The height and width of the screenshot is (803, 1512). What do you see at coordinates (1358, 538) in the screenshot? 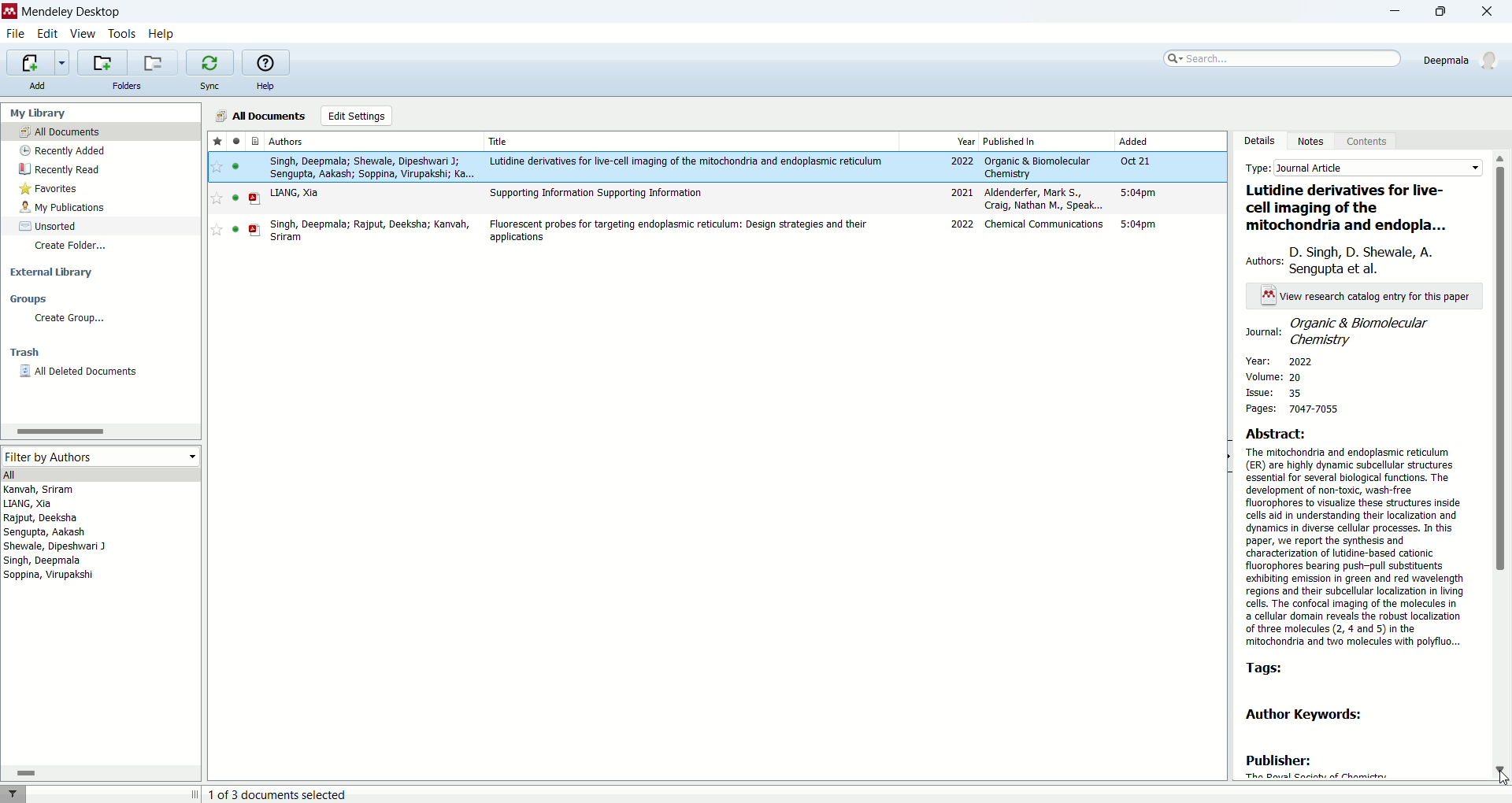
I see `Abstract:The mitochondria and endoplasmic reticulum(ER) are highly dynamic subcellular structures essential for several biological functions. The development of non-toxic, wash-free fluorophores to visualize these structures inside cells aid in understanding their localization and dynamics in diverse cellular processes. In this paper, we report the synthesis and characterization of lutidine-based cationic fluorophores bearing push-pull substituents exhibiting emission in green and red wavelength regions and their subcellular localization in living cells. The confocal imaging of the molecules in a cellular domain reveals the robust localization of three molecules (2, 4 and 5) in the mitochondria and two molecules with polyfluo` at bounding box center [1358, 538].